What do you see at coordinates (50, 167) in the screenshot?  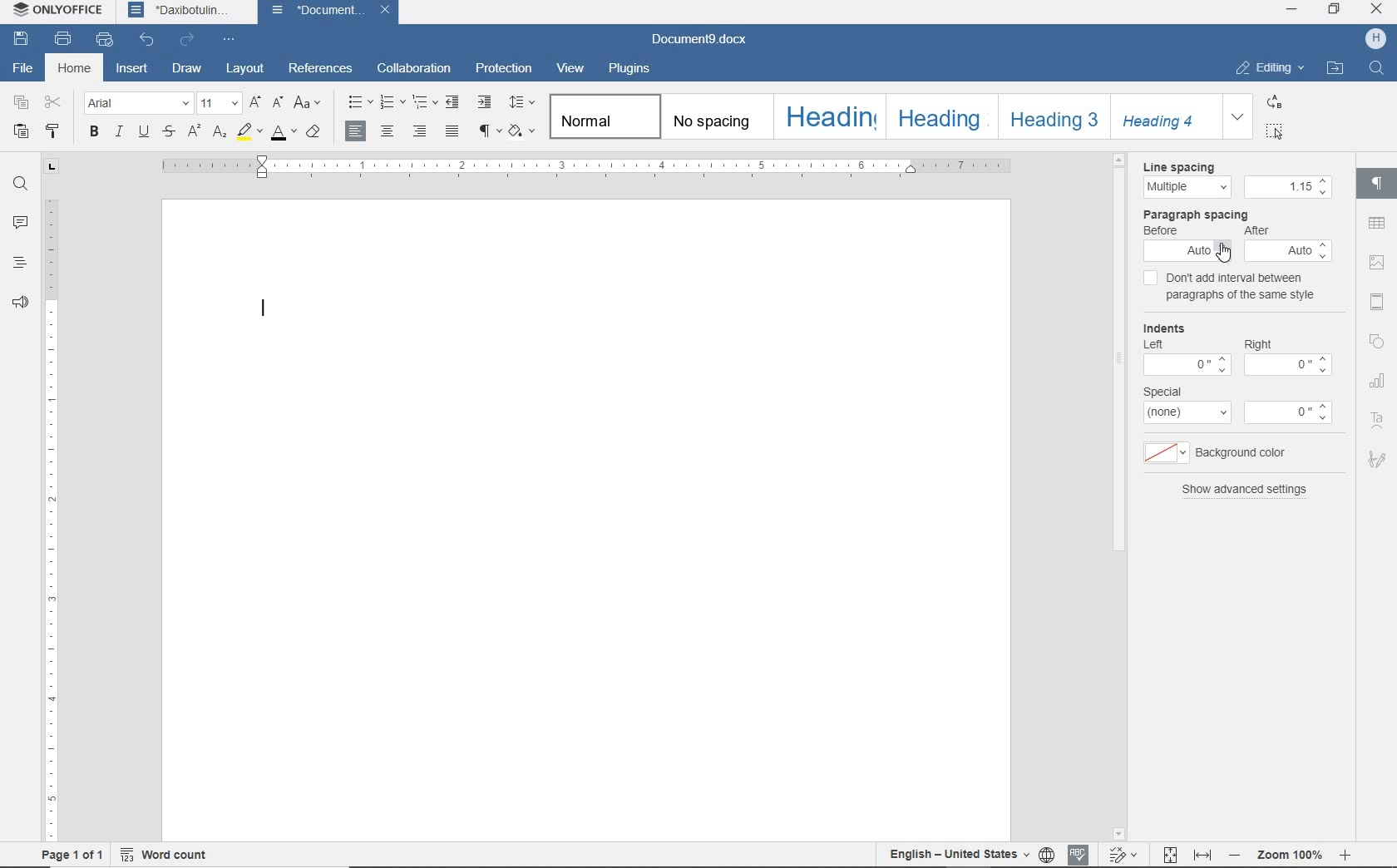 I see `tab stop` at bounding box center [50, 167].